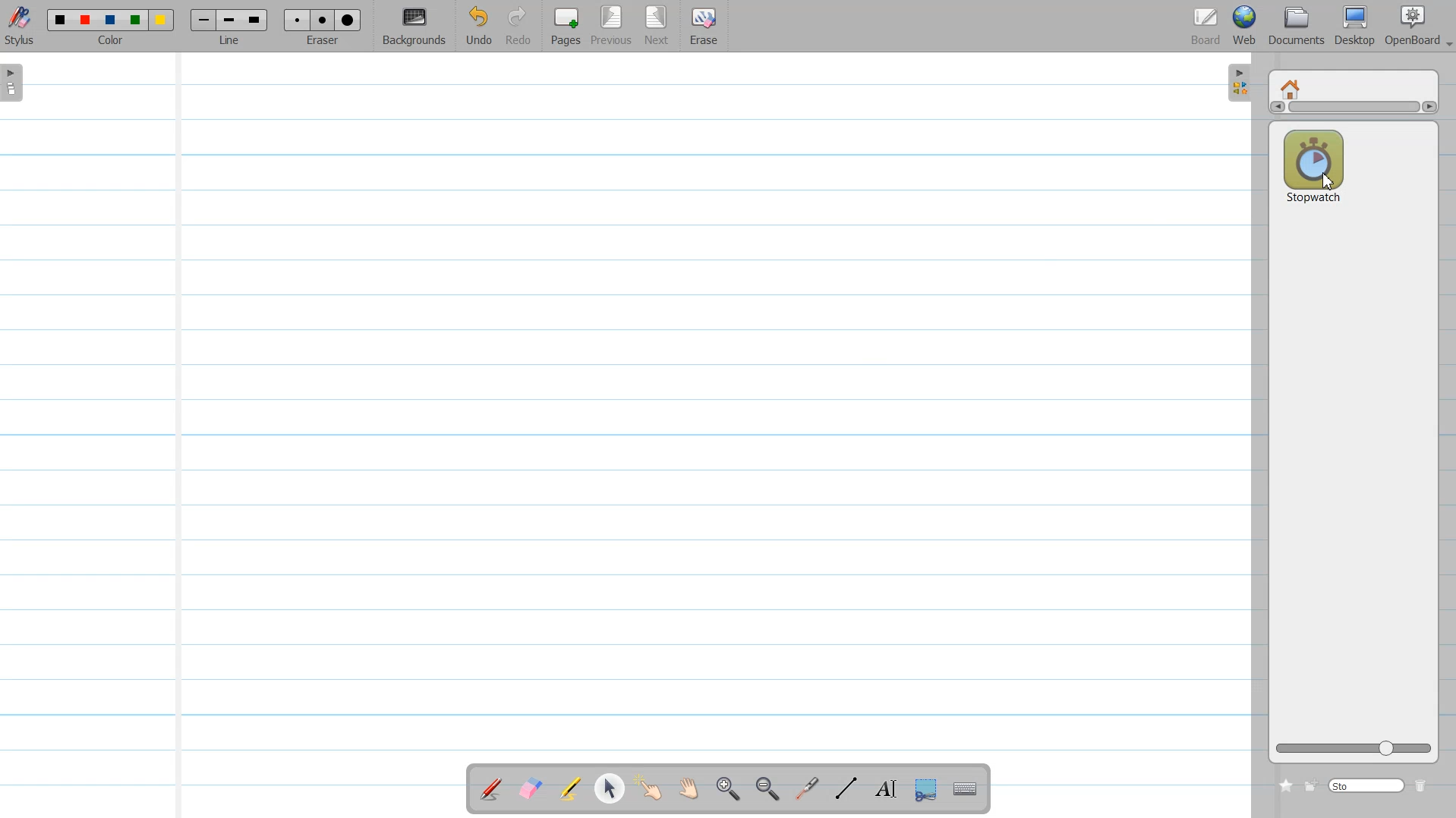 The image size is (1456, 818). Describe the element at coordinates (1329, 181) in the screenshot. I see `Cursor` at that location.